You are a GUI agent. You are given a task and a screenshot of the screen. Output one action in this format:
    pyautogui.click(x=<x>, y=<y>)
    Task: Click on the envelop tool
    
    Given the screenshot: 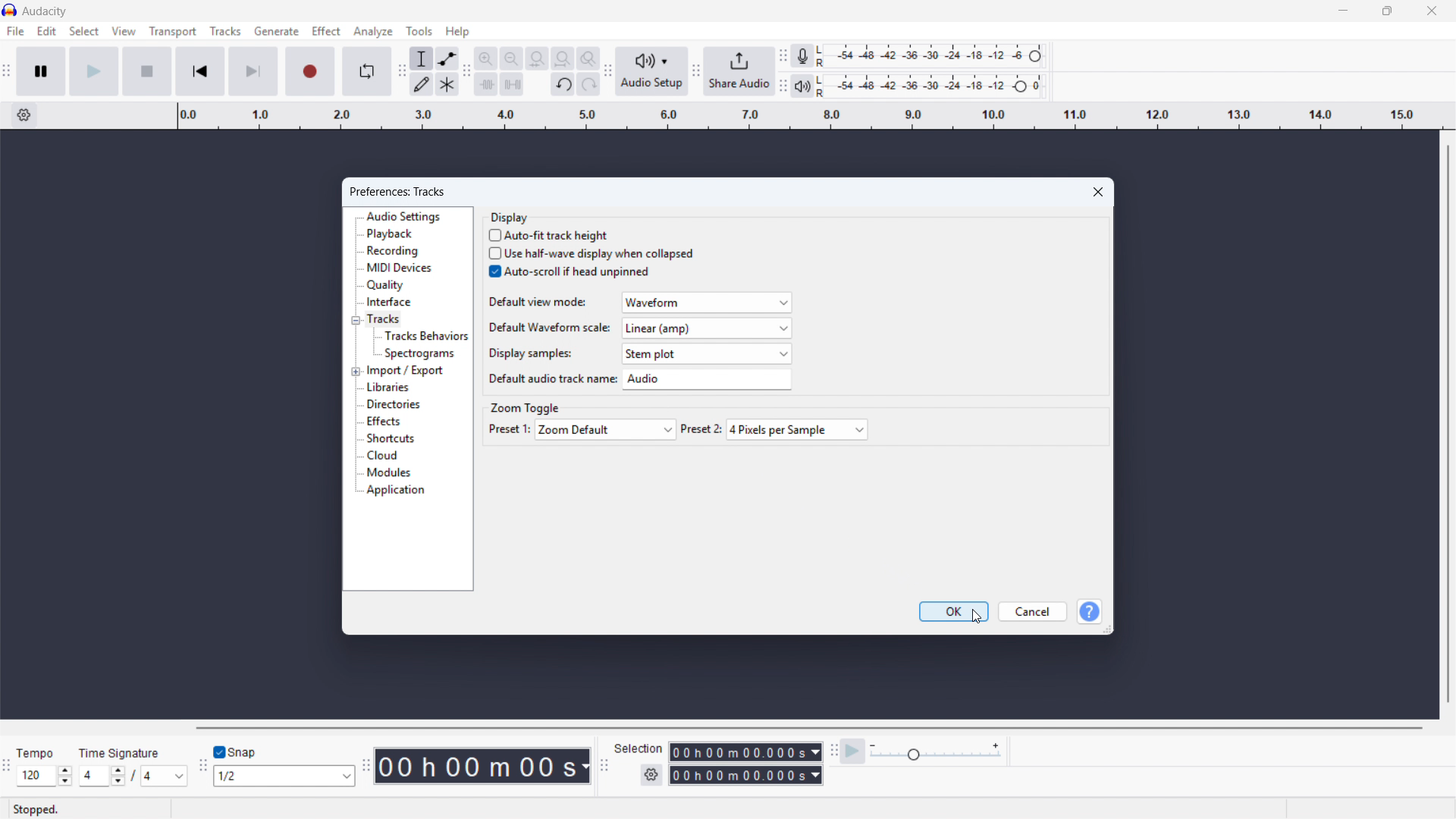 What is the action you would take?
    pyautogui.click(x=447, y=58)
    